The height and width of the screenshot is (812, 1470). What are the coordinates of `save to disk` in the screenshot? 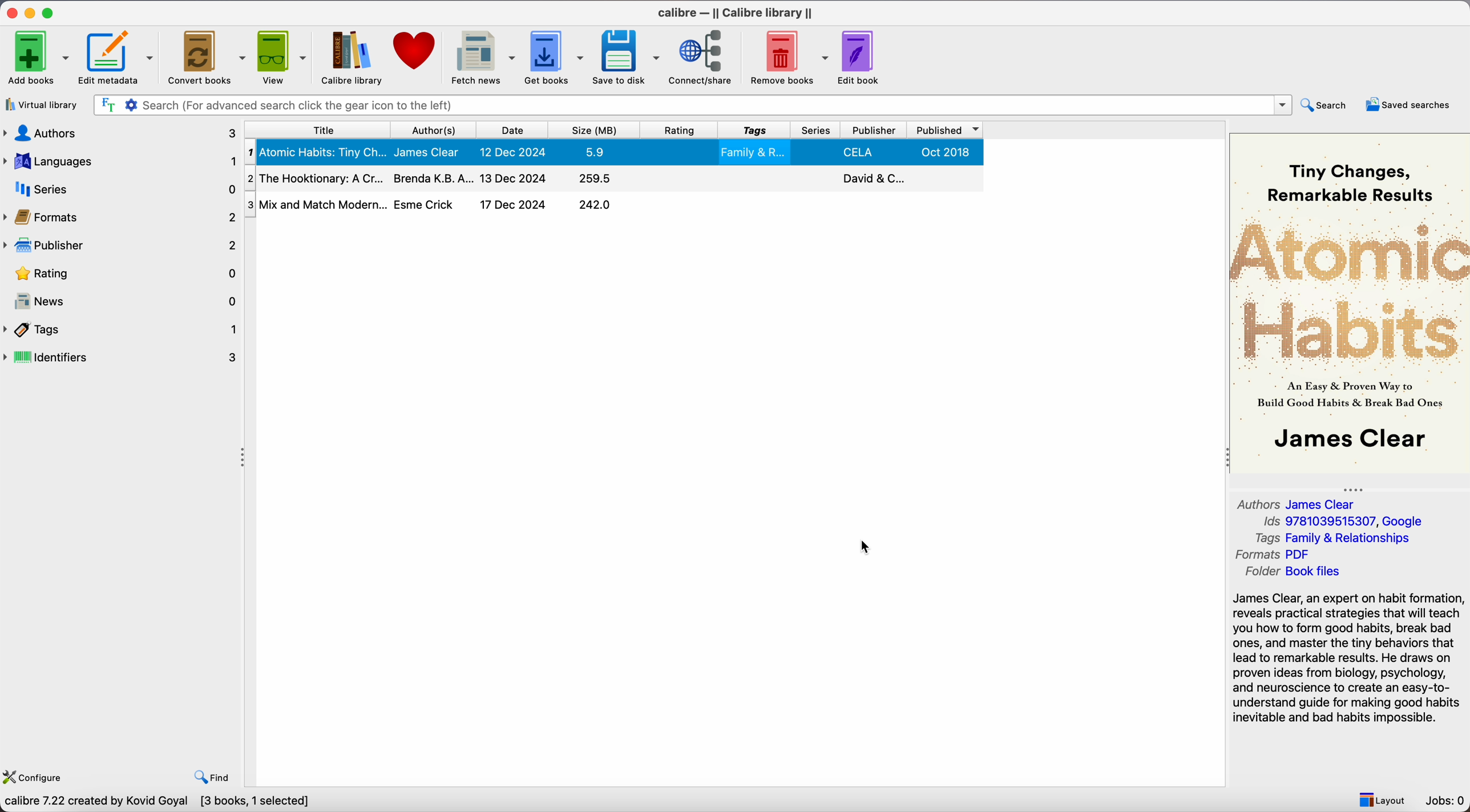 It's located at (628, 57).